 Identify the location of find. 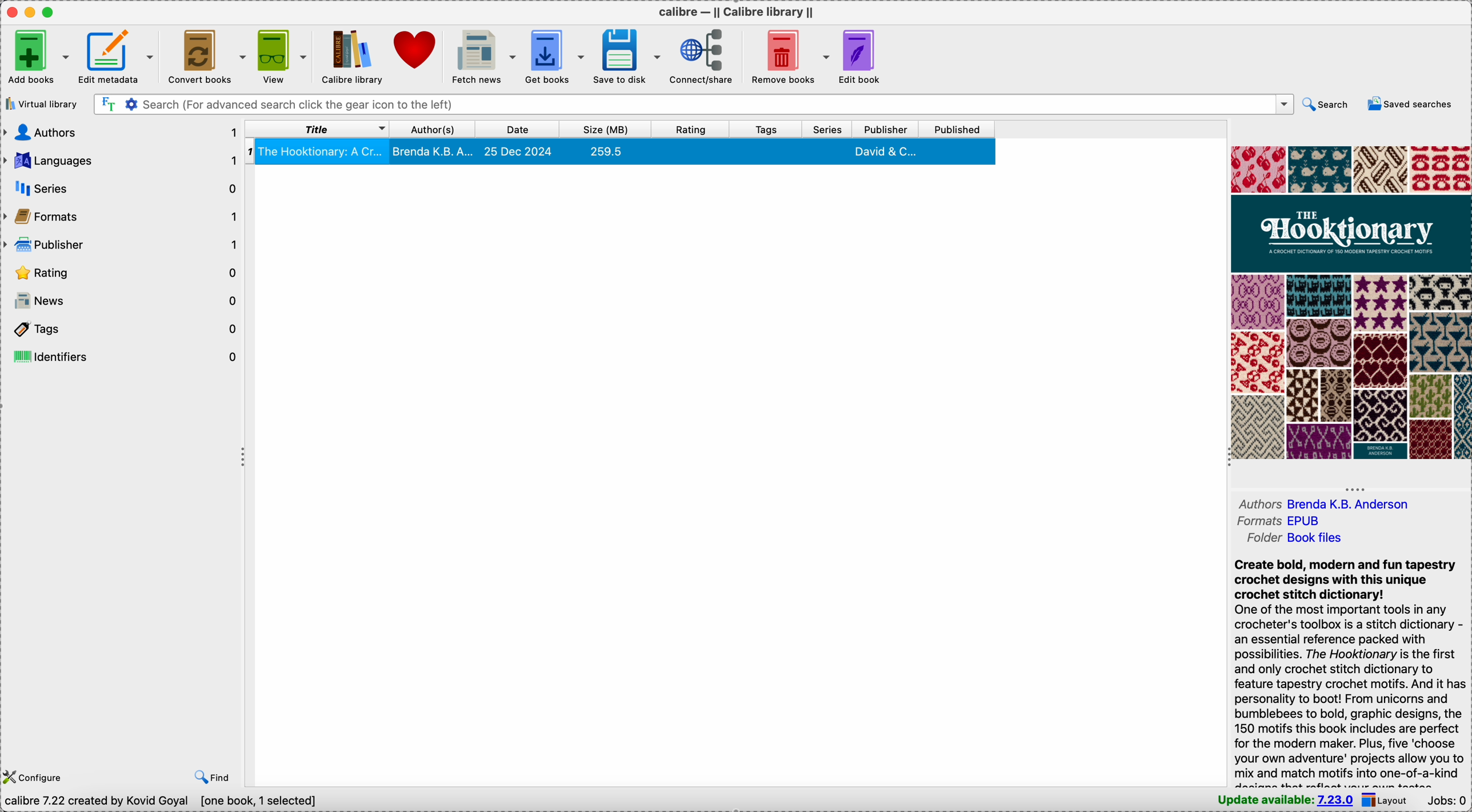
(214, 777).